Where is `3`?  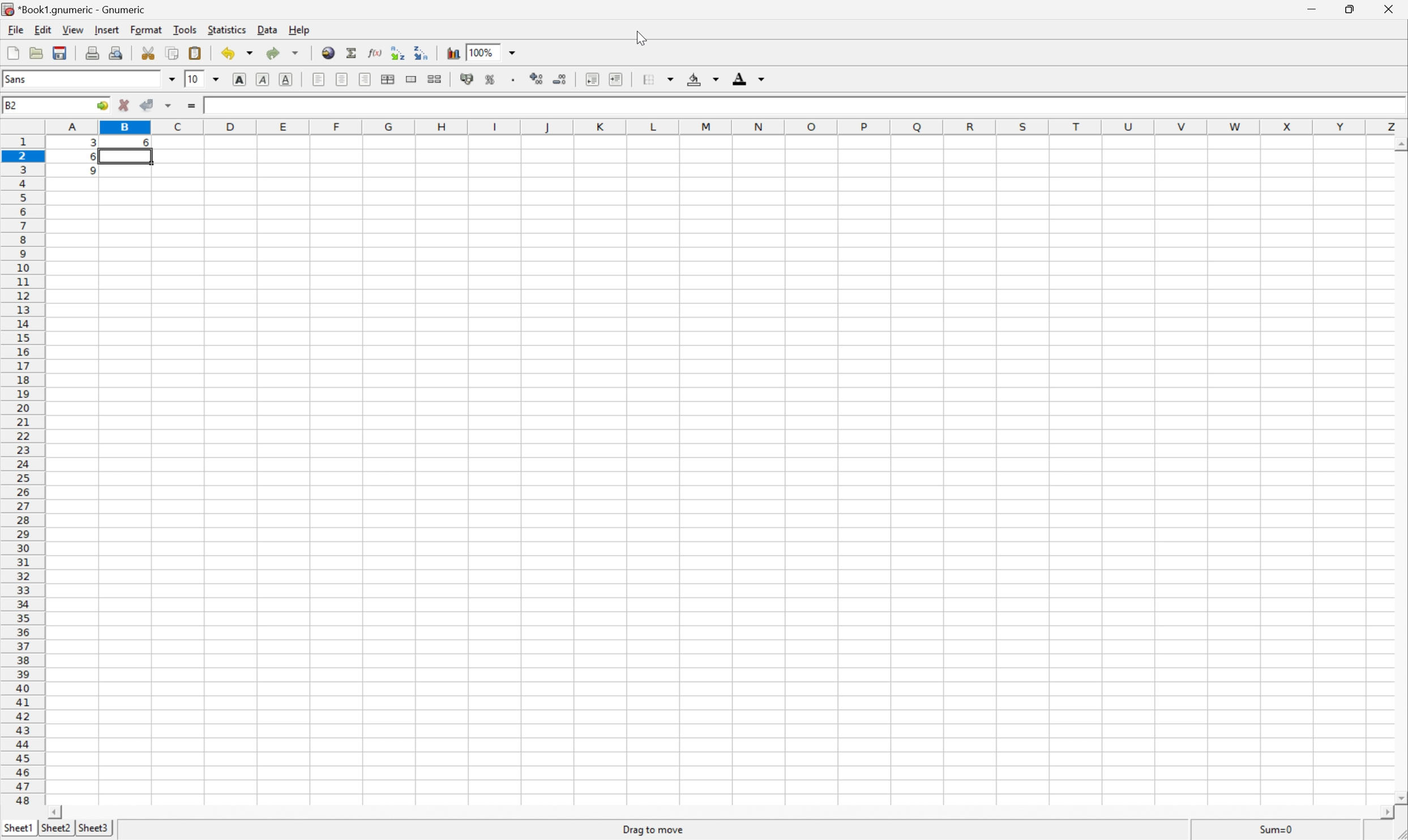 3 is located at coordinates (91, 144).